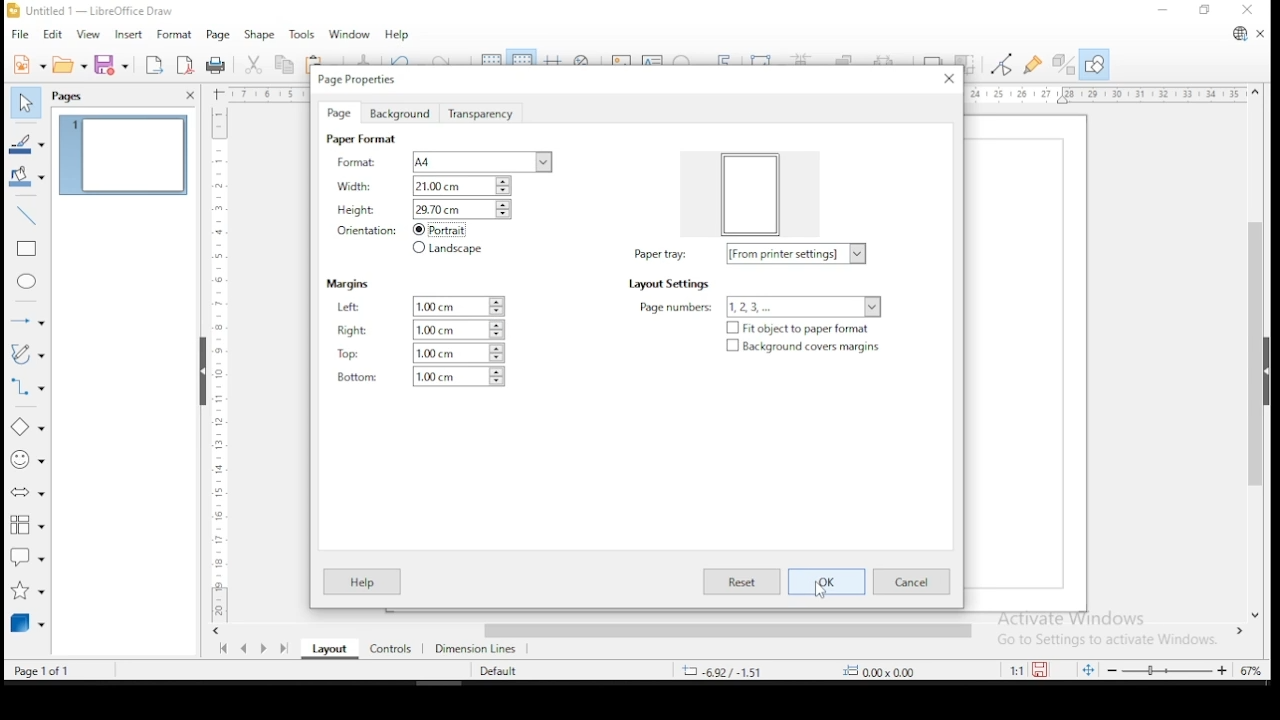  Describe the element at coordinates (27, 527) in the screenshot. I see `flowchart` at that location.